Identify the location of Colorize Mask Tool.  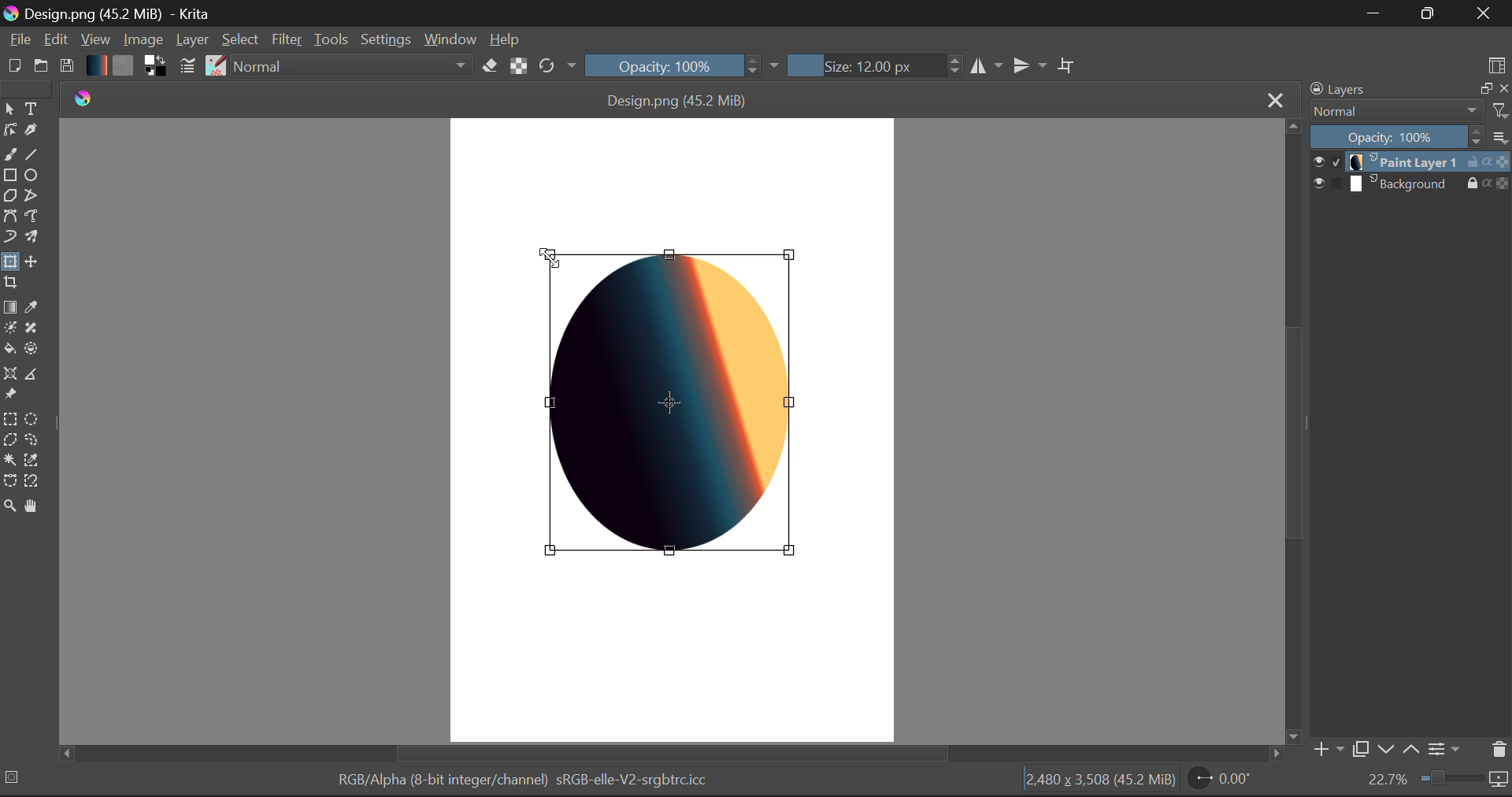
(9, 328).